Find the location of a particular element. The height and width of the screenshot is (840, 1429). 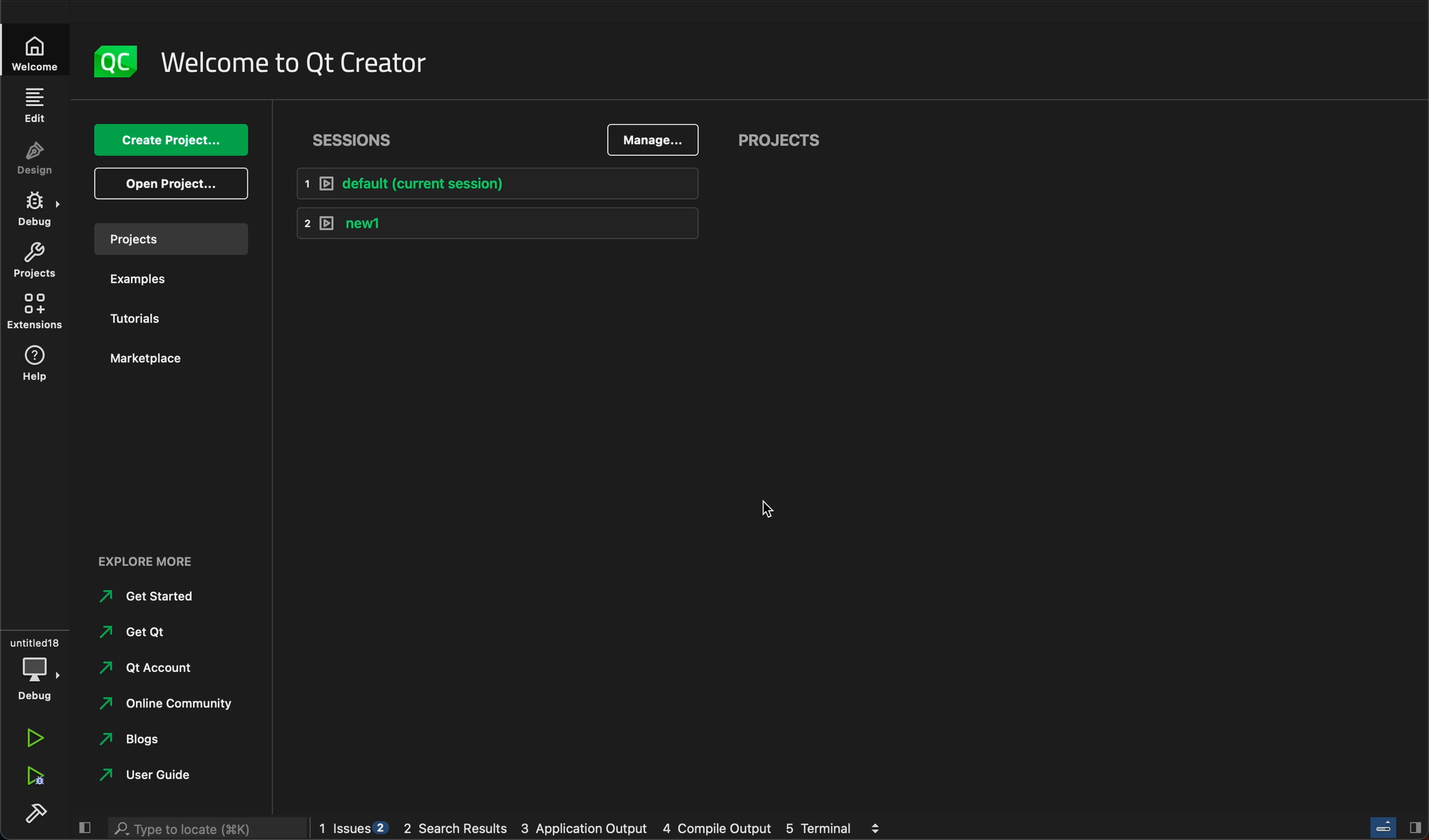

explore more is located at coordinates (143, 558).